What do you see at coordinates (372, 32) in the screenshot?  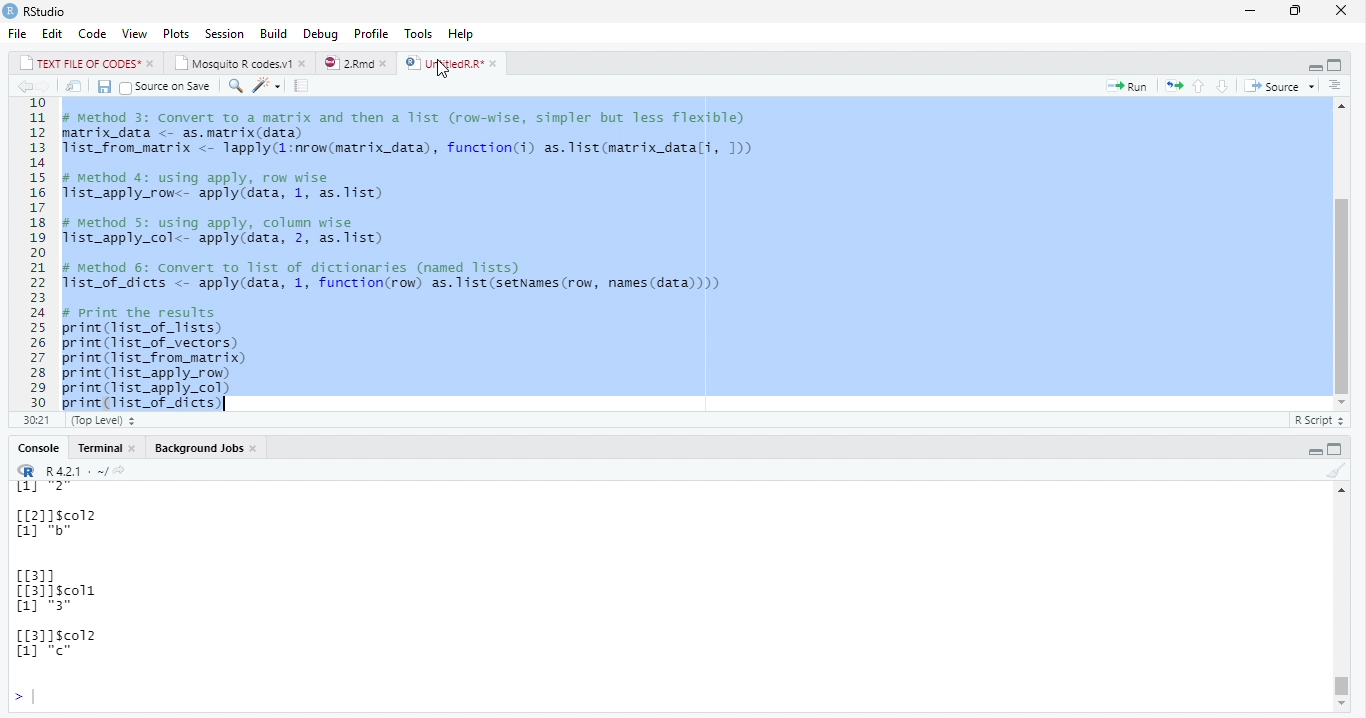 I see `Profile` at bounding box center [372, 32].